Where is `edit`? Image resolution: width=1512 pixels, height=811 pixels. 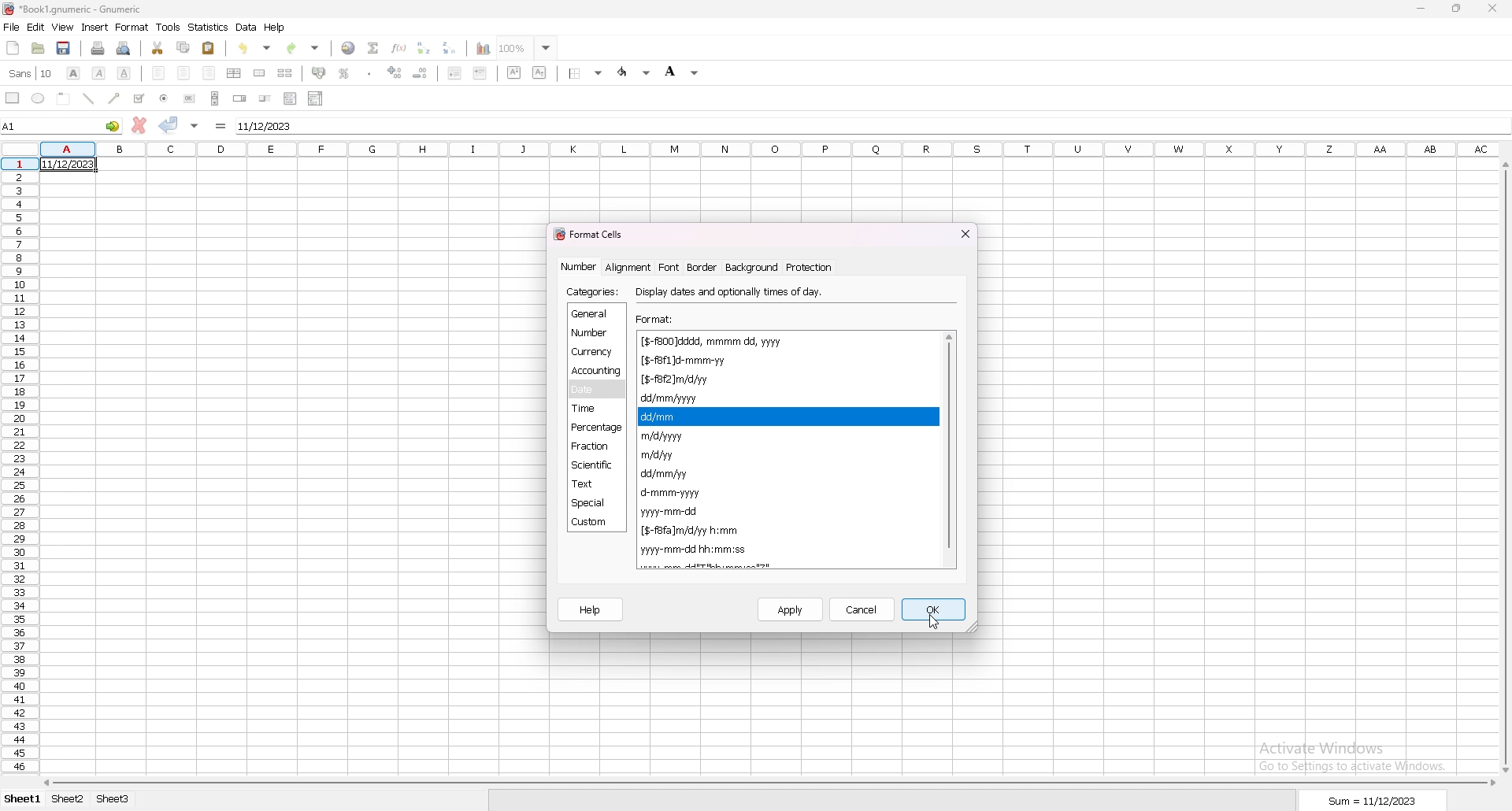 edit is located at coordinates (36, 27).